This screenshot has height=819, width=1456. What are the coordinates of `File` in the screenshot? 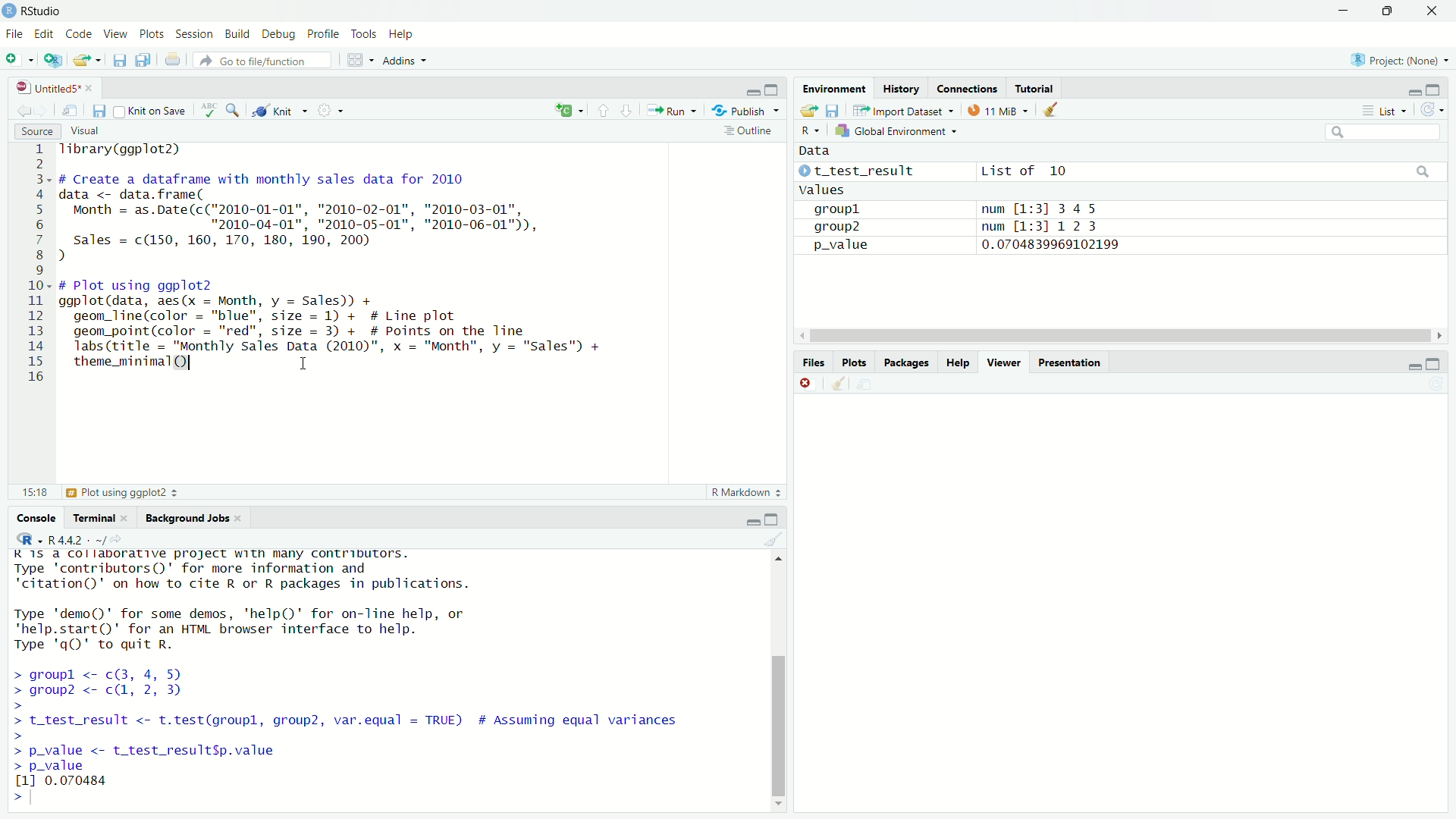 It's located at (14, 31).